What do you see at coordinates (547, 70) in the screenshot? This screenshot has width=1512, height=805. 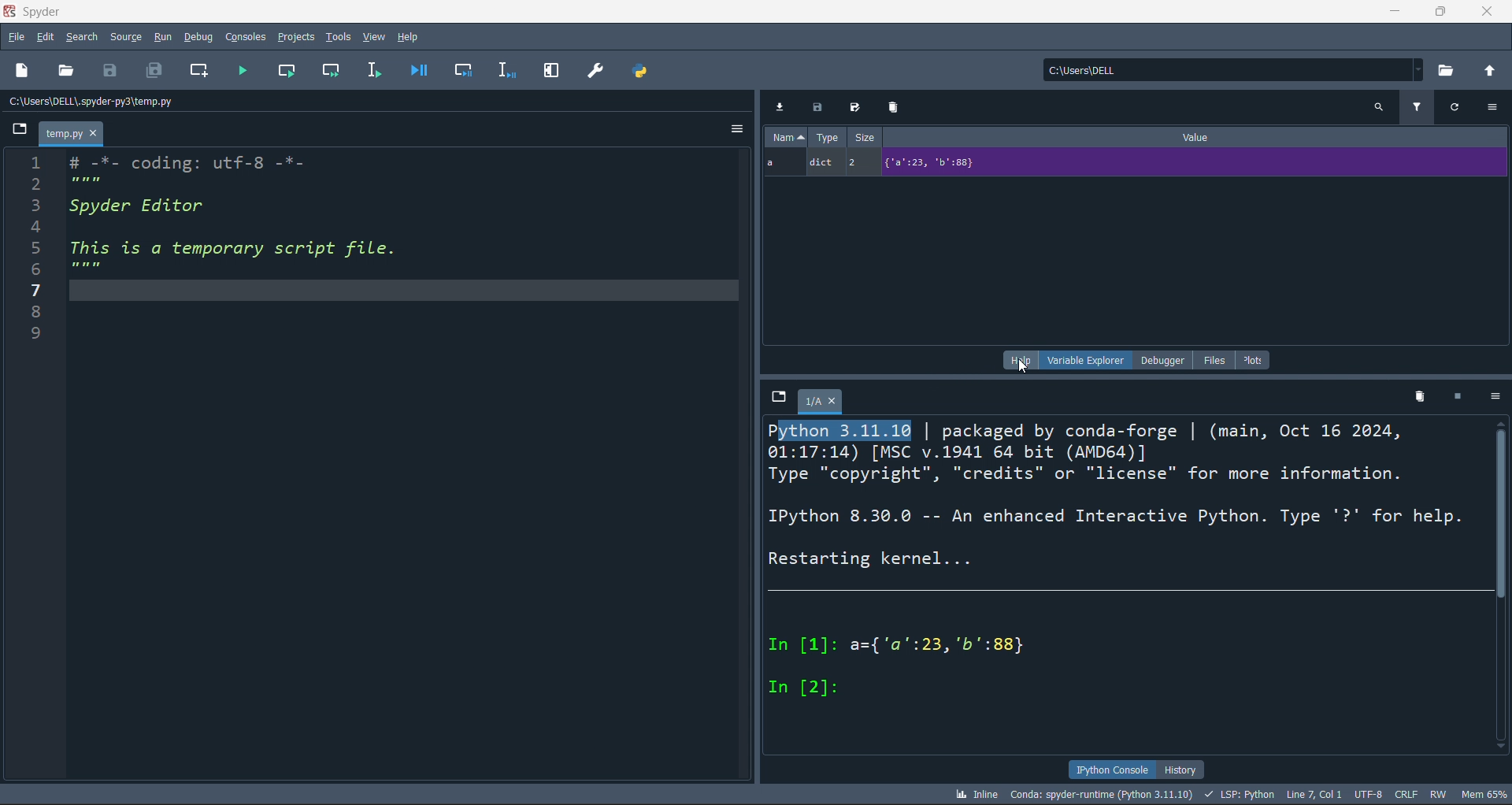 I see `expand pane` at bounding box center [547, 70].